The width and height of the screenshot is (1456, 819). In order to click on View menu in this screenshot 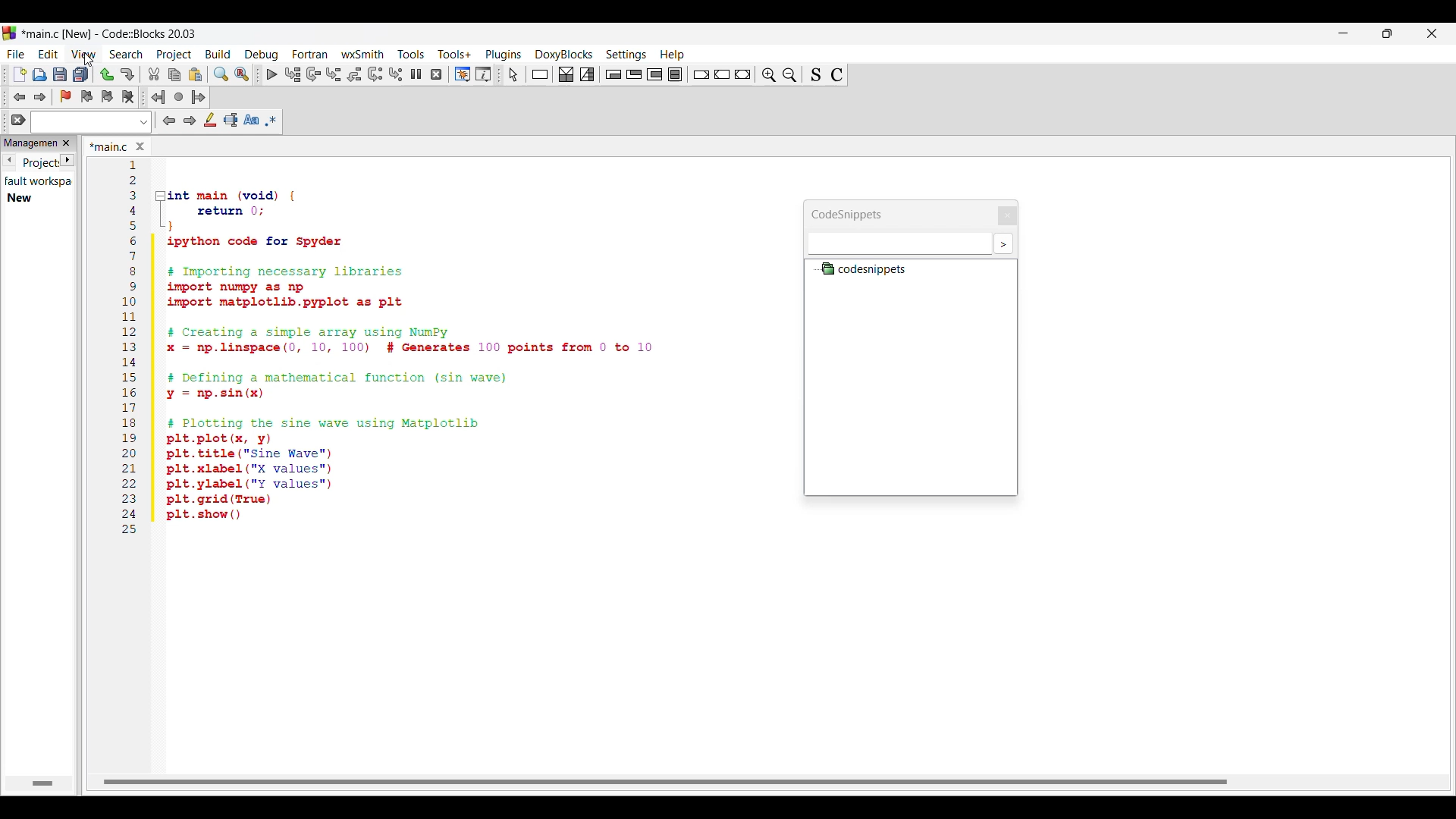, I will do `click(83, 55)`.